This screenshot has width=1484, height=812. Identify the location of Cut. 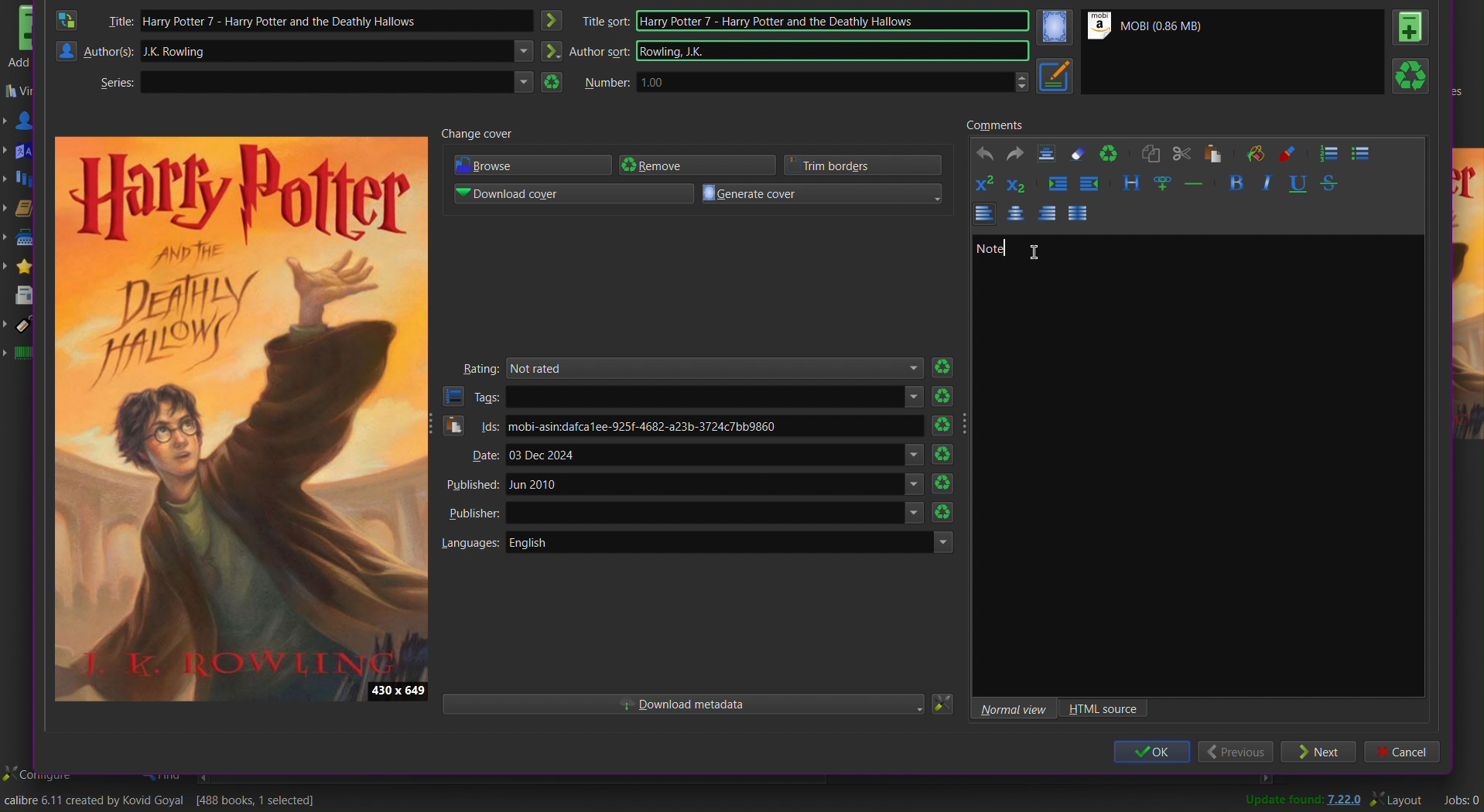
(1184, 153).